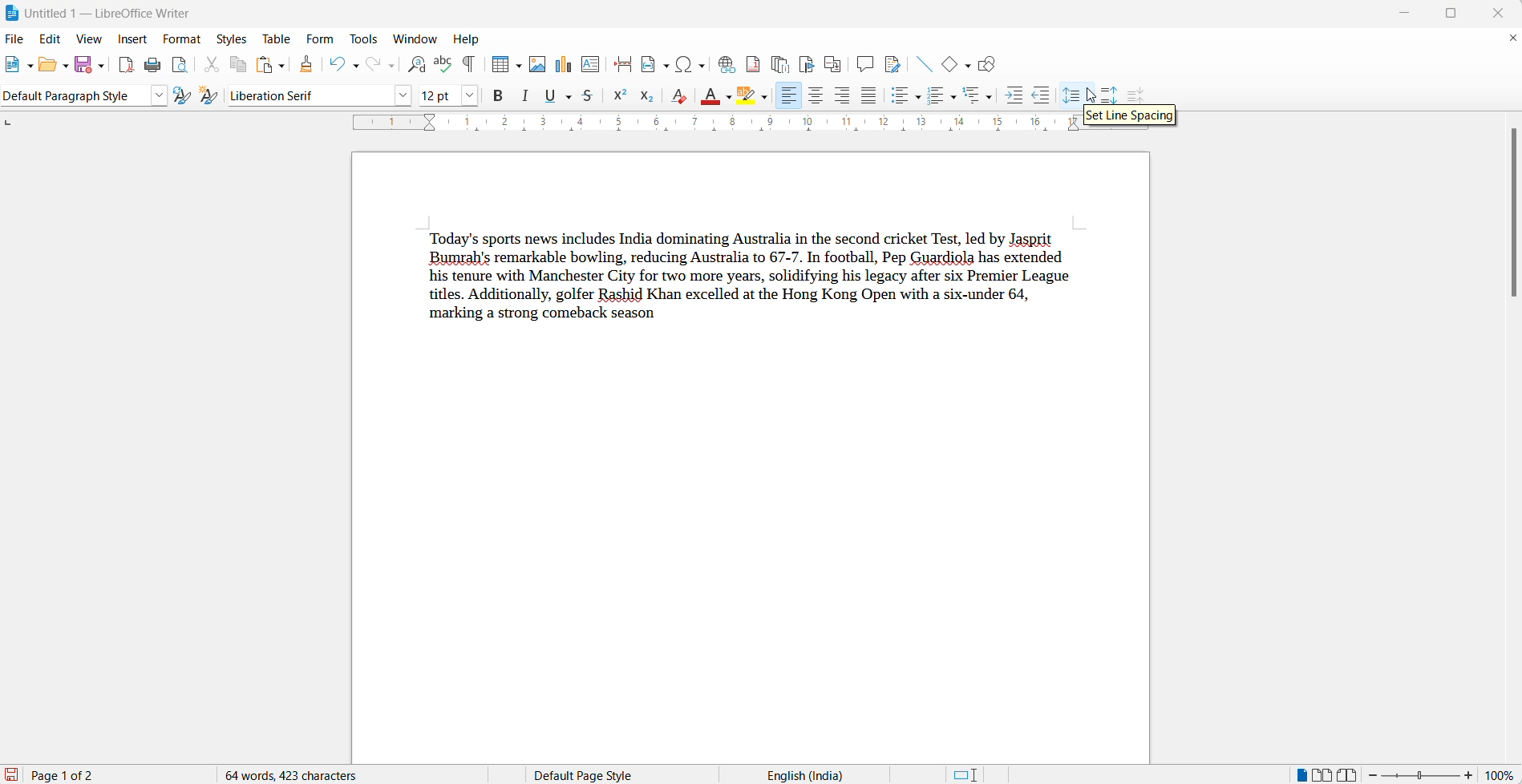 The height and width of the screenshot is (784, 1522). What do you see at coordinates (62, 66) in the screenshot?
I see `open options` at bounding box center [62, 66].